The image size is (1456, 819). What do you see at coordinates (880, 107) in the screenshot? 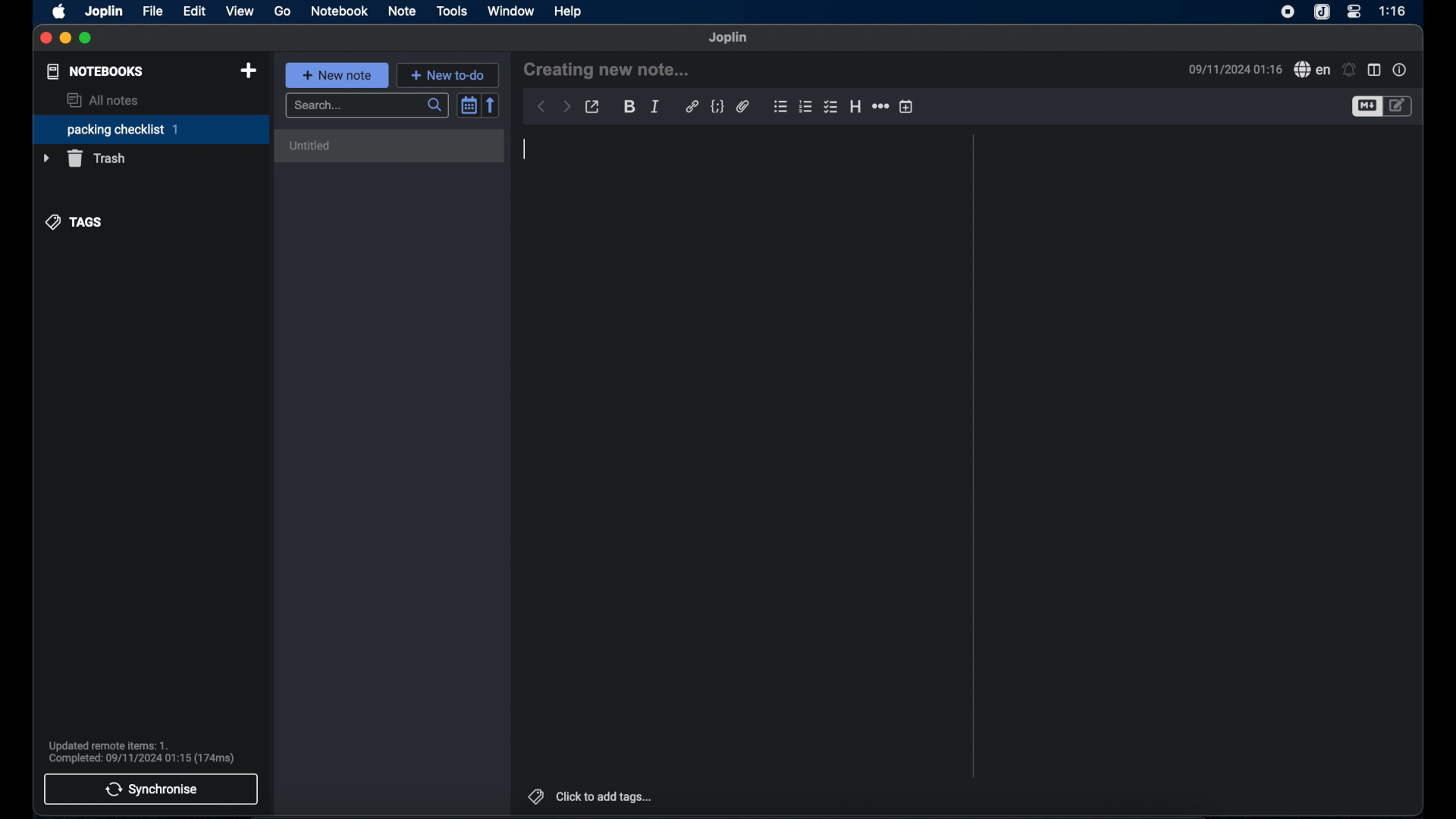
I see `horizontal rule` at bounding box center [880, 107].